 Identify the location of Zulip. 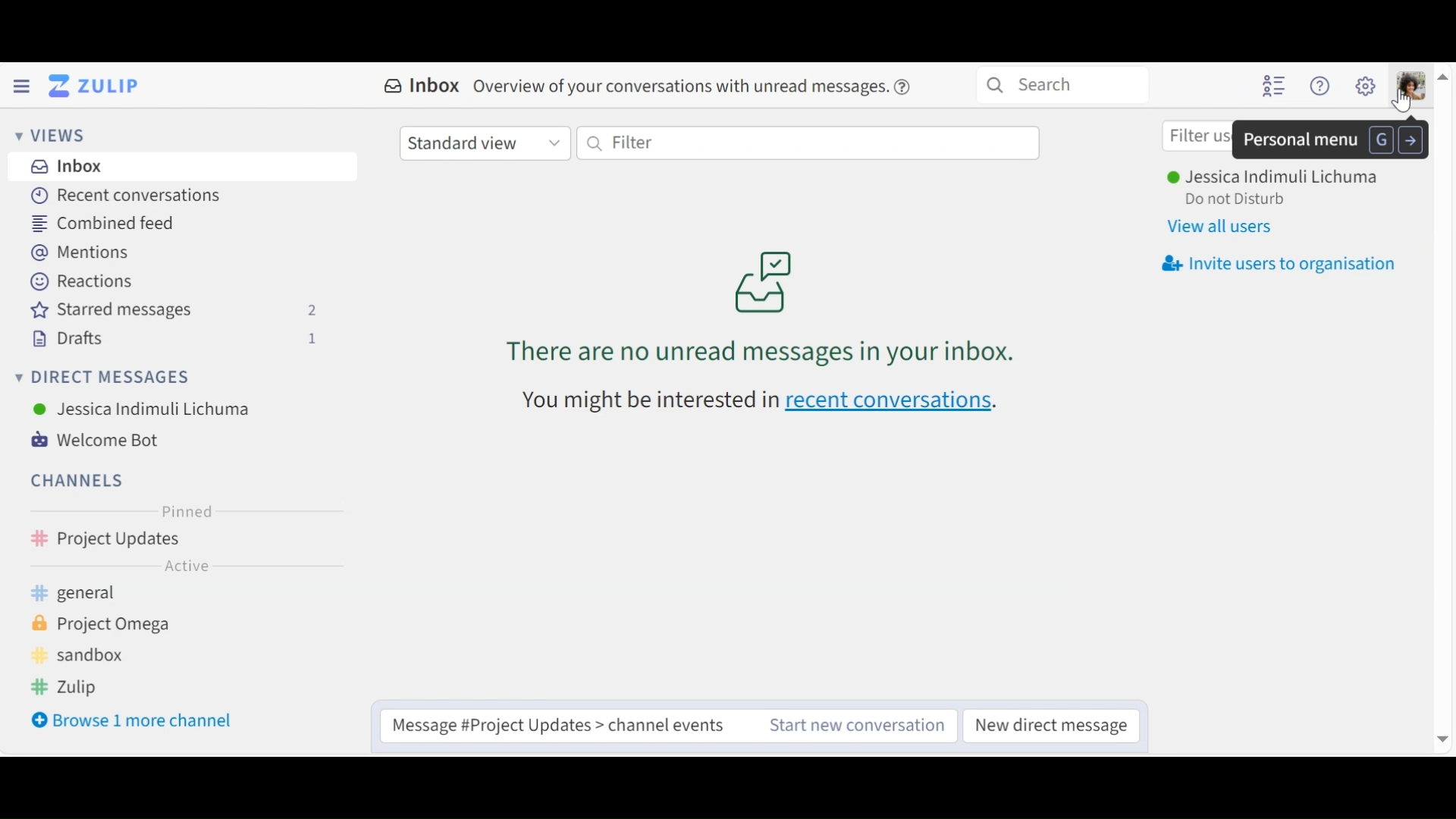
(79, 689).